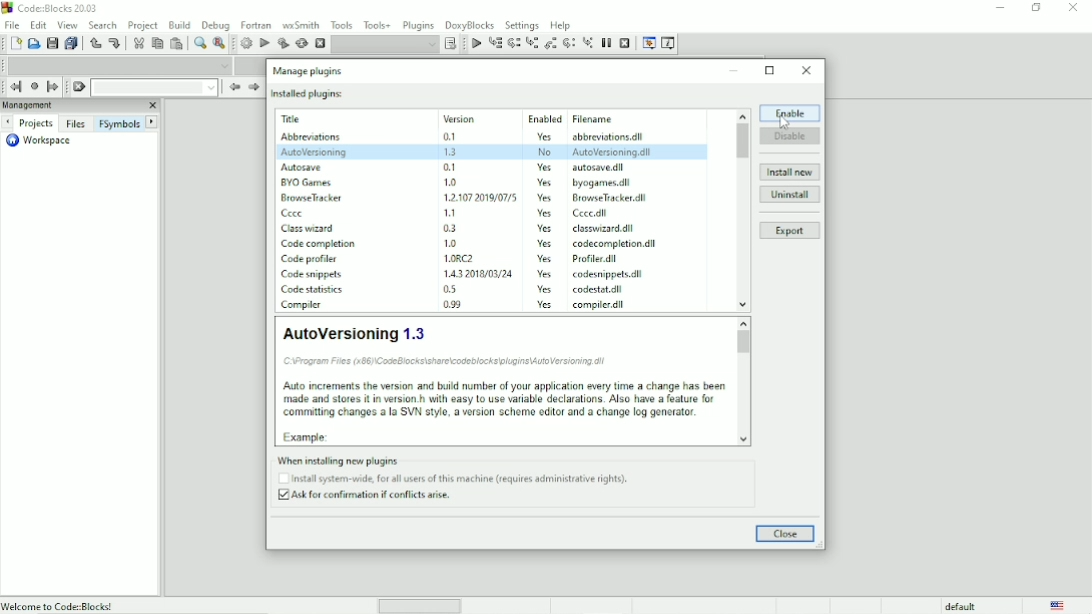 The width and height of the screenshot is (1092, 614). I want to click on version , so click(453, 306).